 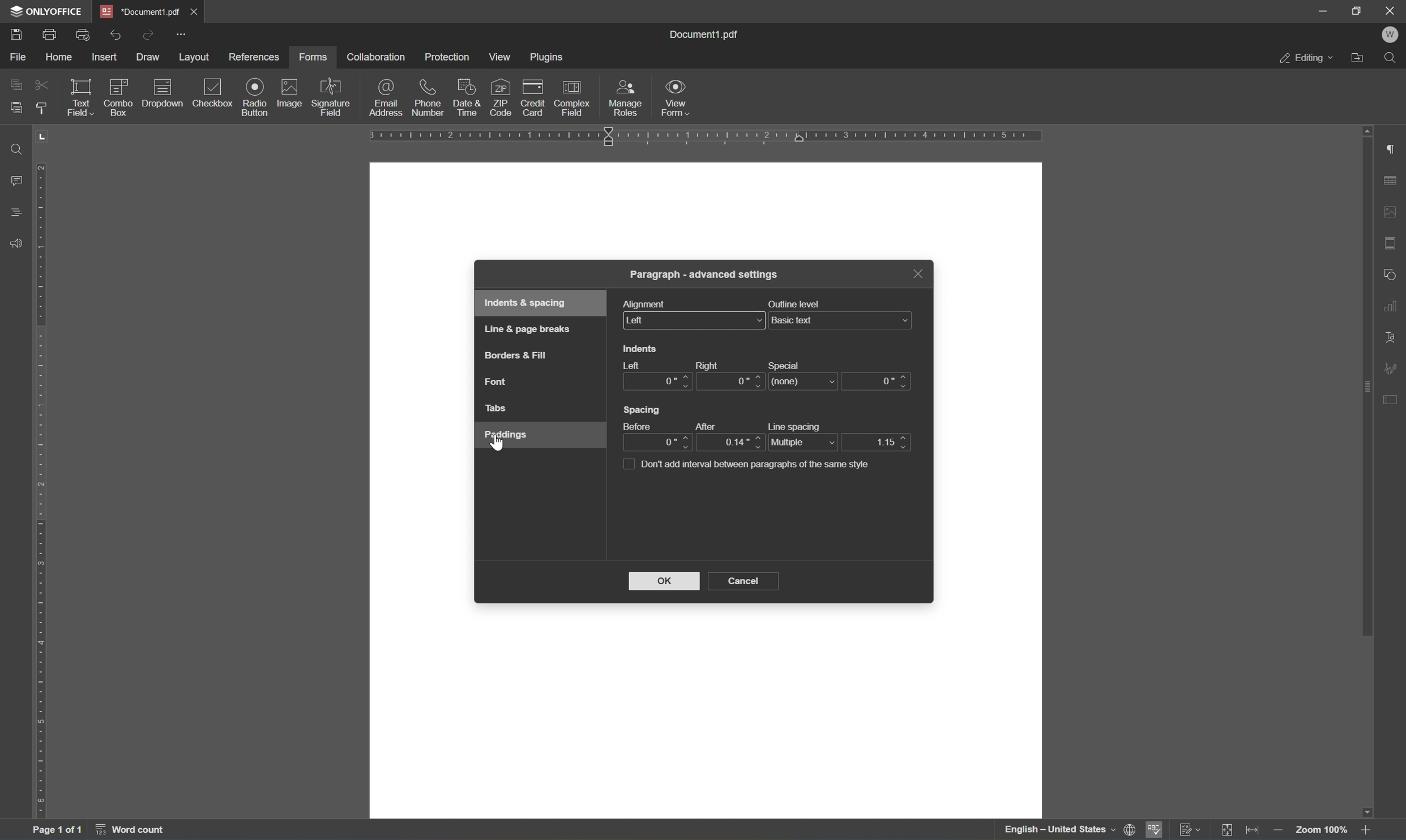 What do you see at coordinates (105, 57) in the screenshot?
I see `insert` at bounding box center [105, 57].